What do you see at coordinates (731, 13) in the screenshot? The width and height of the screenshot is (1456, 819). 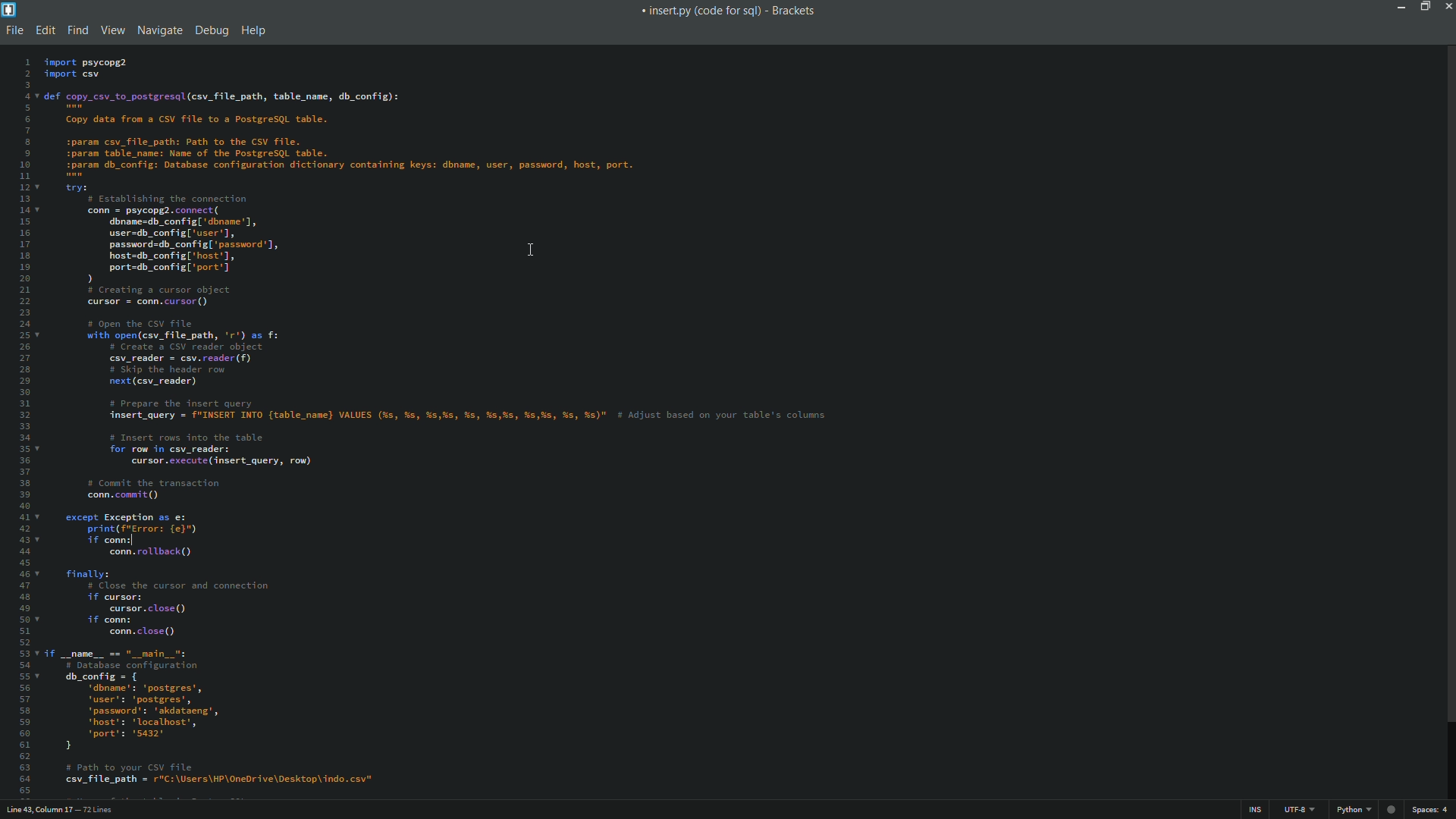 I see `« insert.py (code for sql) - Brackets` at bounding box center [731, 13].